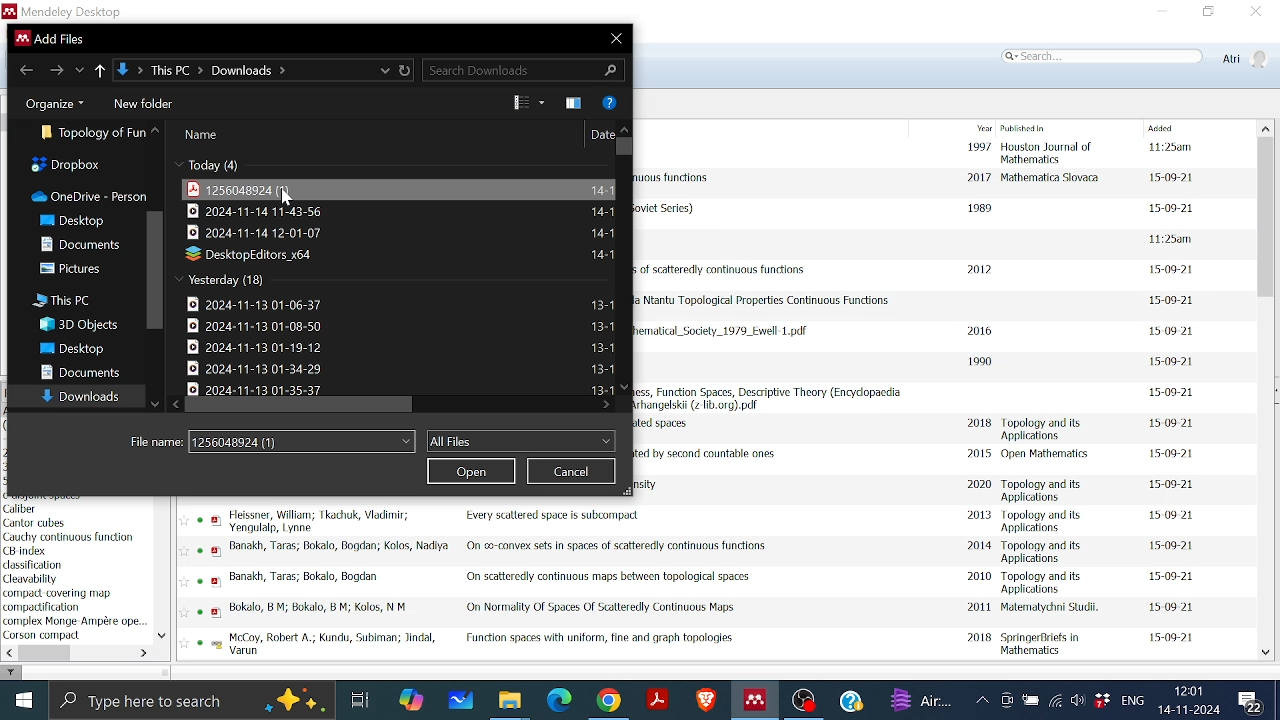  What do you see at coordinates (1171, 607) in the screenshot?
I see `daet` at bounding box center [1171, 607].